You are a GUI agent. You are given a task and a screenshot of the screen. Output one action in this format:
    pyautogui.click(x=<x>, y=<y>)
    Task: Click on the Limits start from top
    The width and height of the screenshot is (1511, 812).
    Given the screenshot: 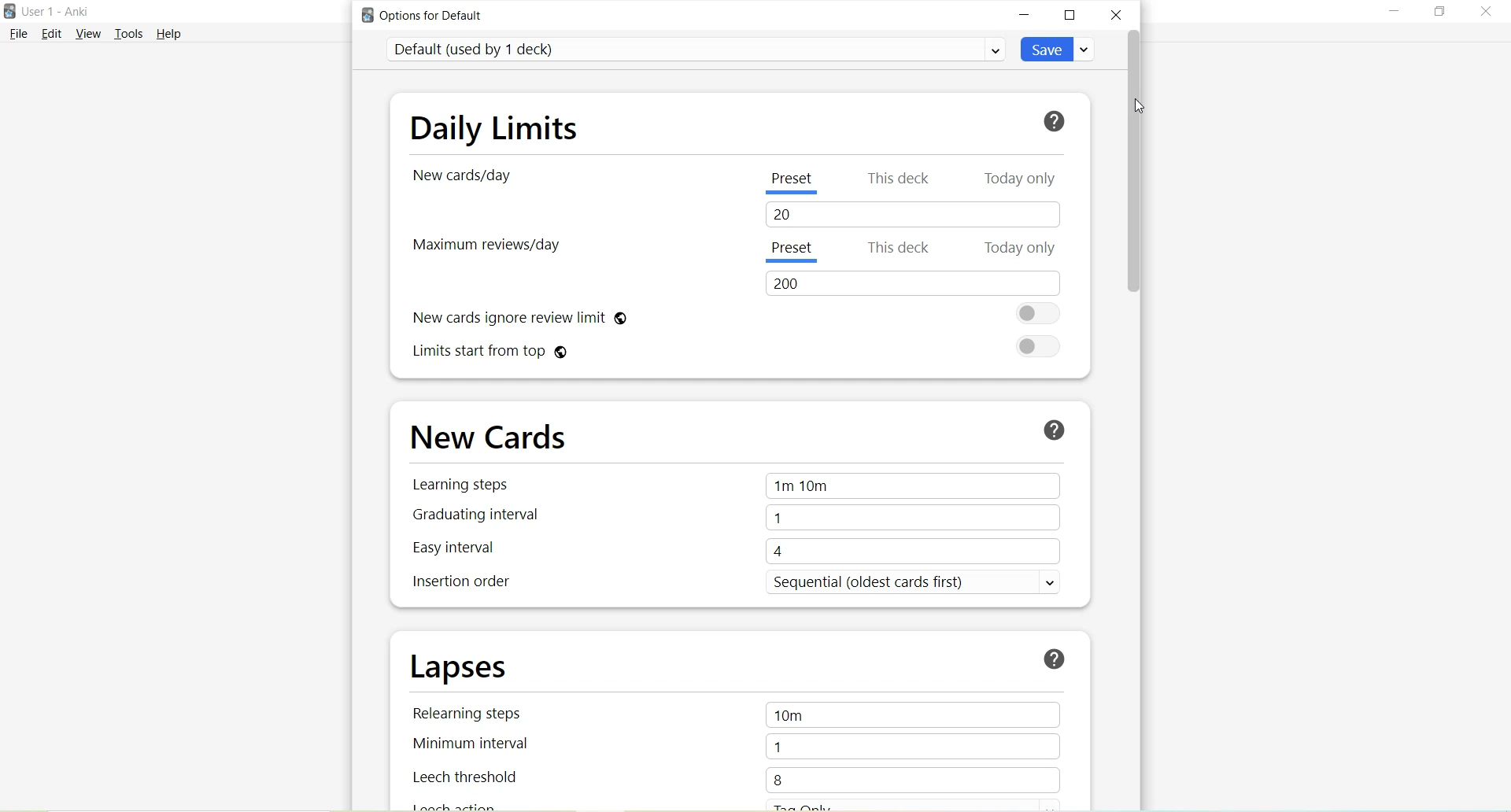 What is the action you would take?
    pyautogui.click(x=490, y=352)
    